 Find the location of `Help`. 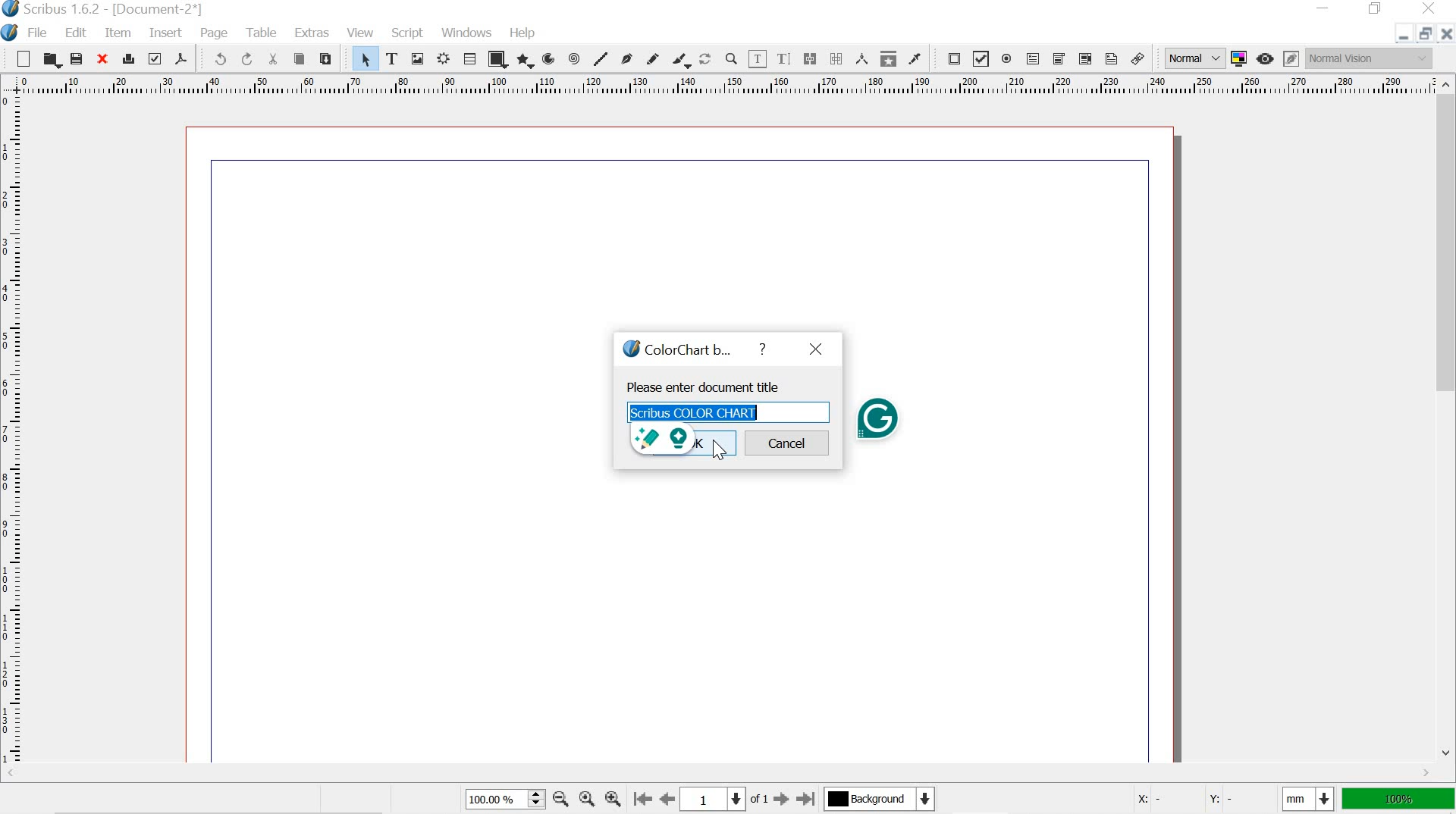

Help is located at coordinates (524, 33).